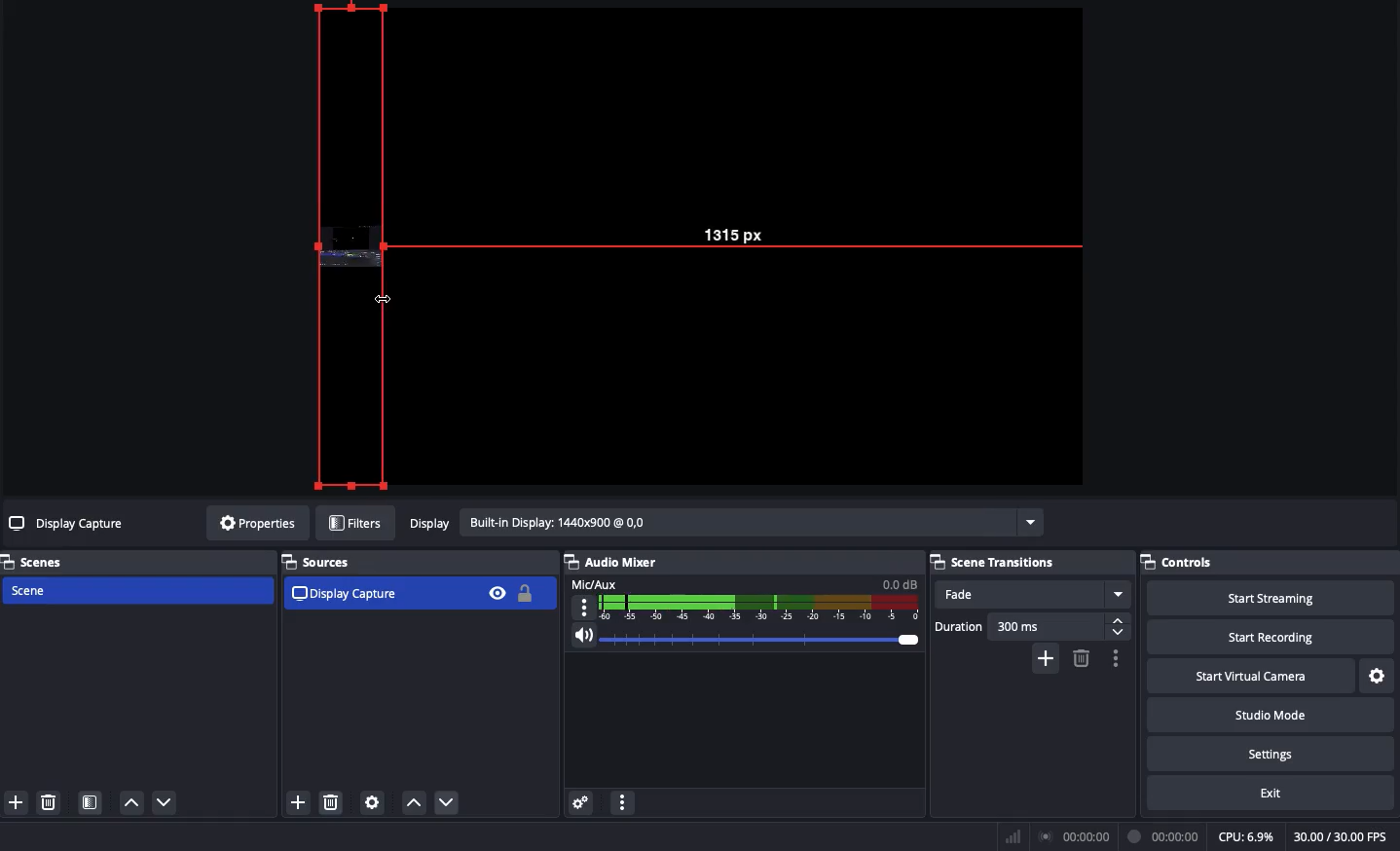 This screenshot has height=851, width=1400. What do you see at coordinates (371, 803) in the screenshot?
I see `Source properties` at bounding box center [371, 803].